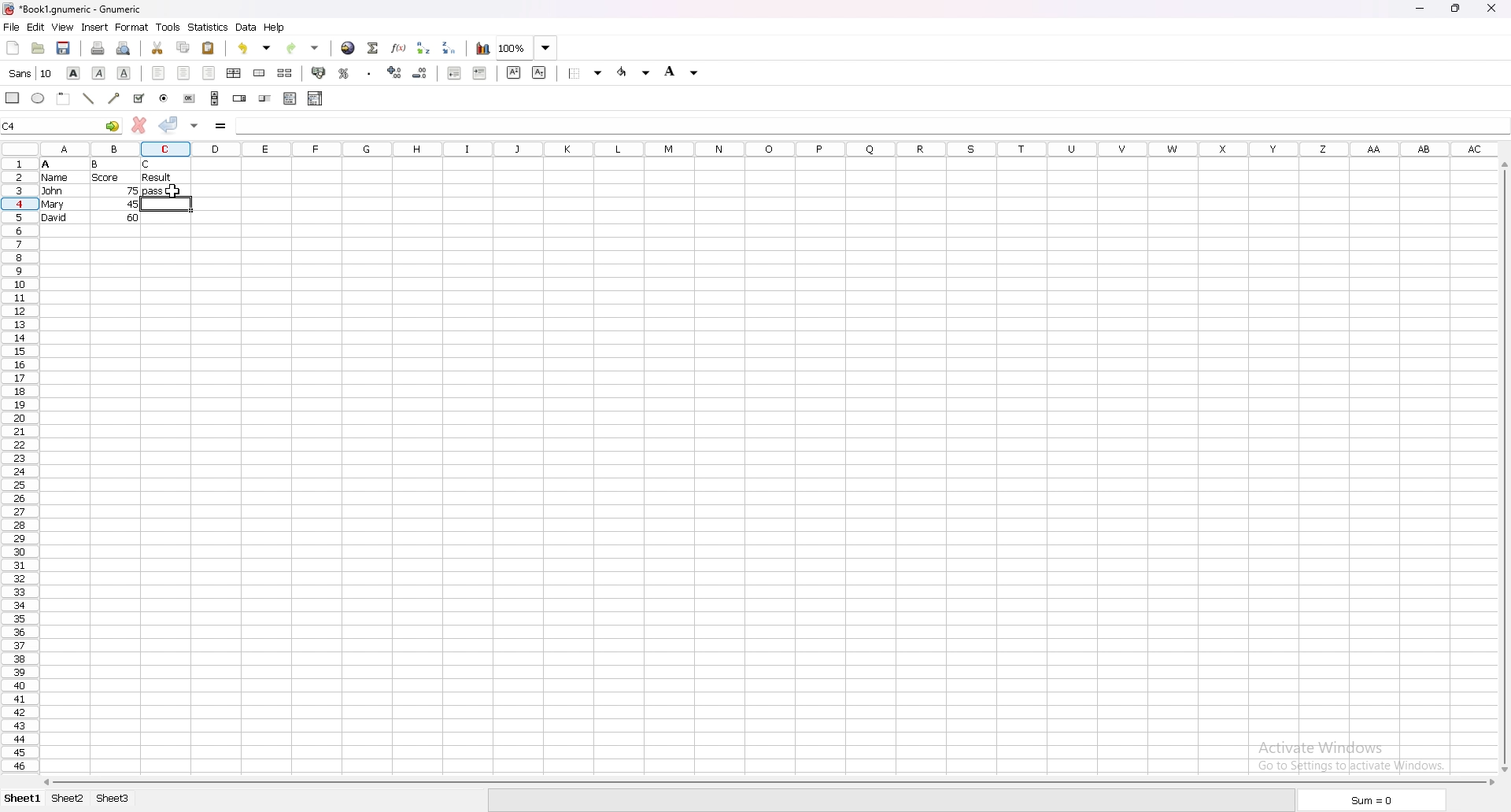 The height and width of the screenshot is (812, 1511). Describe the element at coordinates (74, 73) in the screenshot. I see `bold` at that location.